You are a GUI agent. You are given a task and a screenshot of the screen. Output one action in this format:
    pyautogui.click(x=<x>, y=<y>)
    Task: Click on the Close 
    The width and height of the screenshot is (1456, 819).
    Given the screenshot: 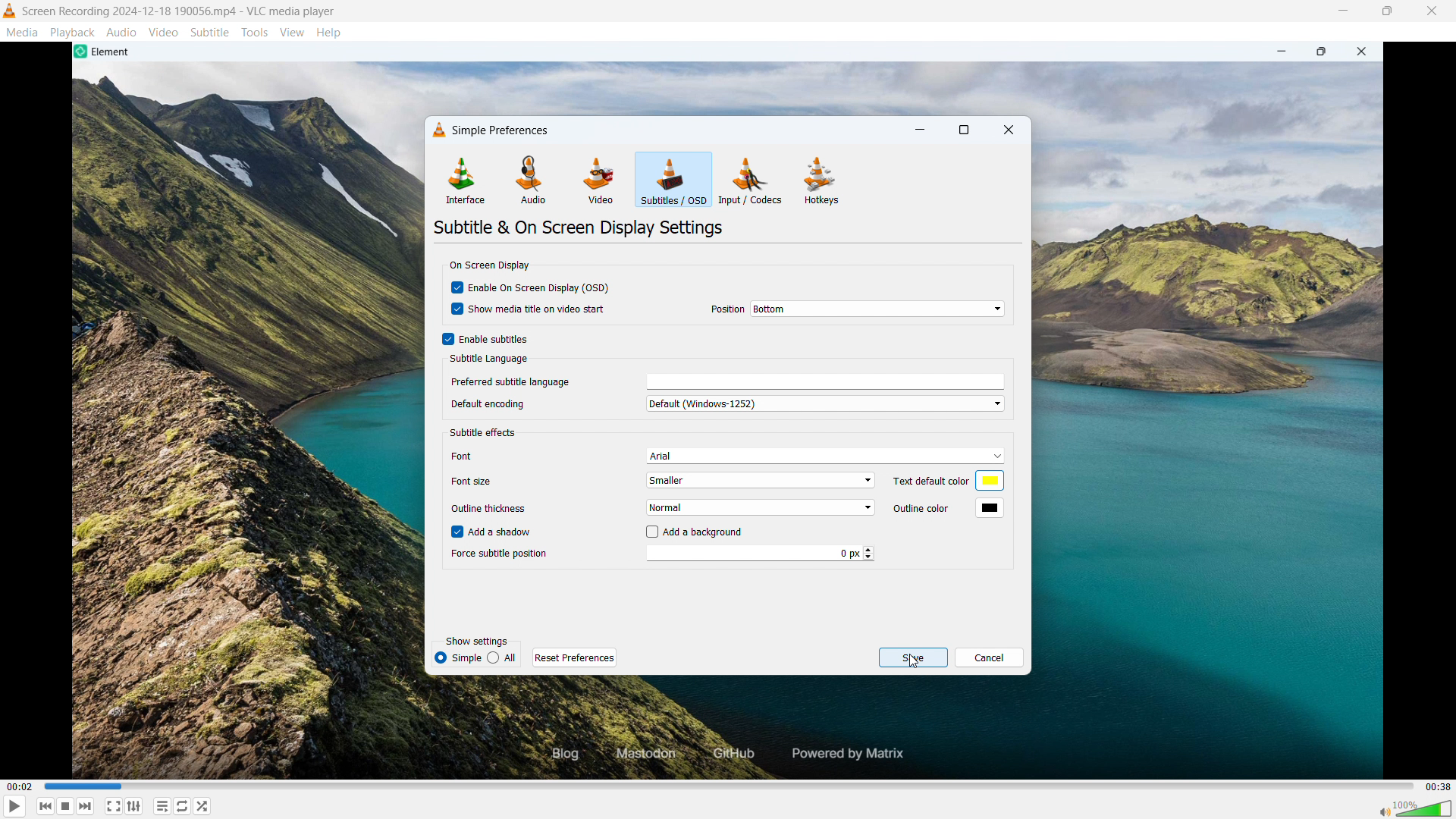 What is the action you would take?
    pyautogui.click(x=1432, y=11)
    